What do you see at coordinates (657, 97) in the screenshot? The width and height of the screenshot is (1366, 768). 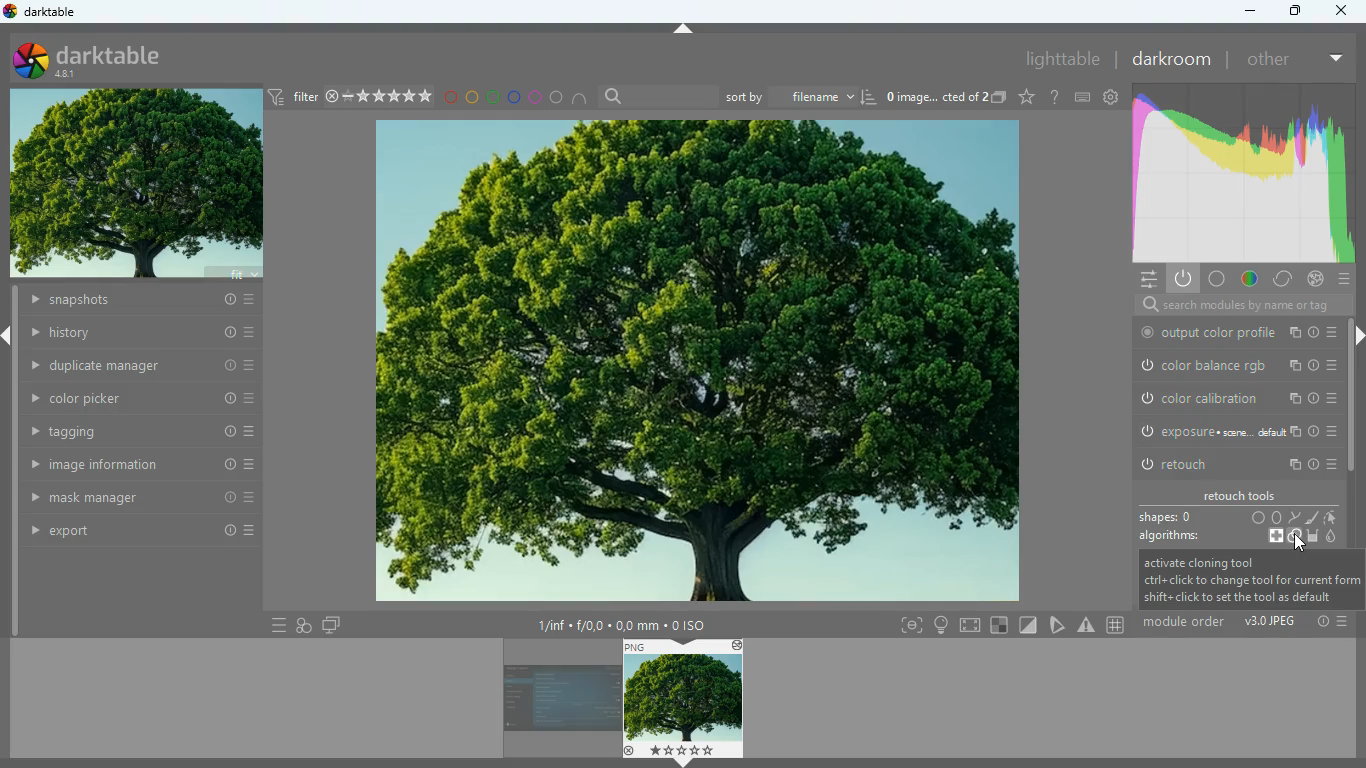 I see `search` at bounding box center [657, 97].